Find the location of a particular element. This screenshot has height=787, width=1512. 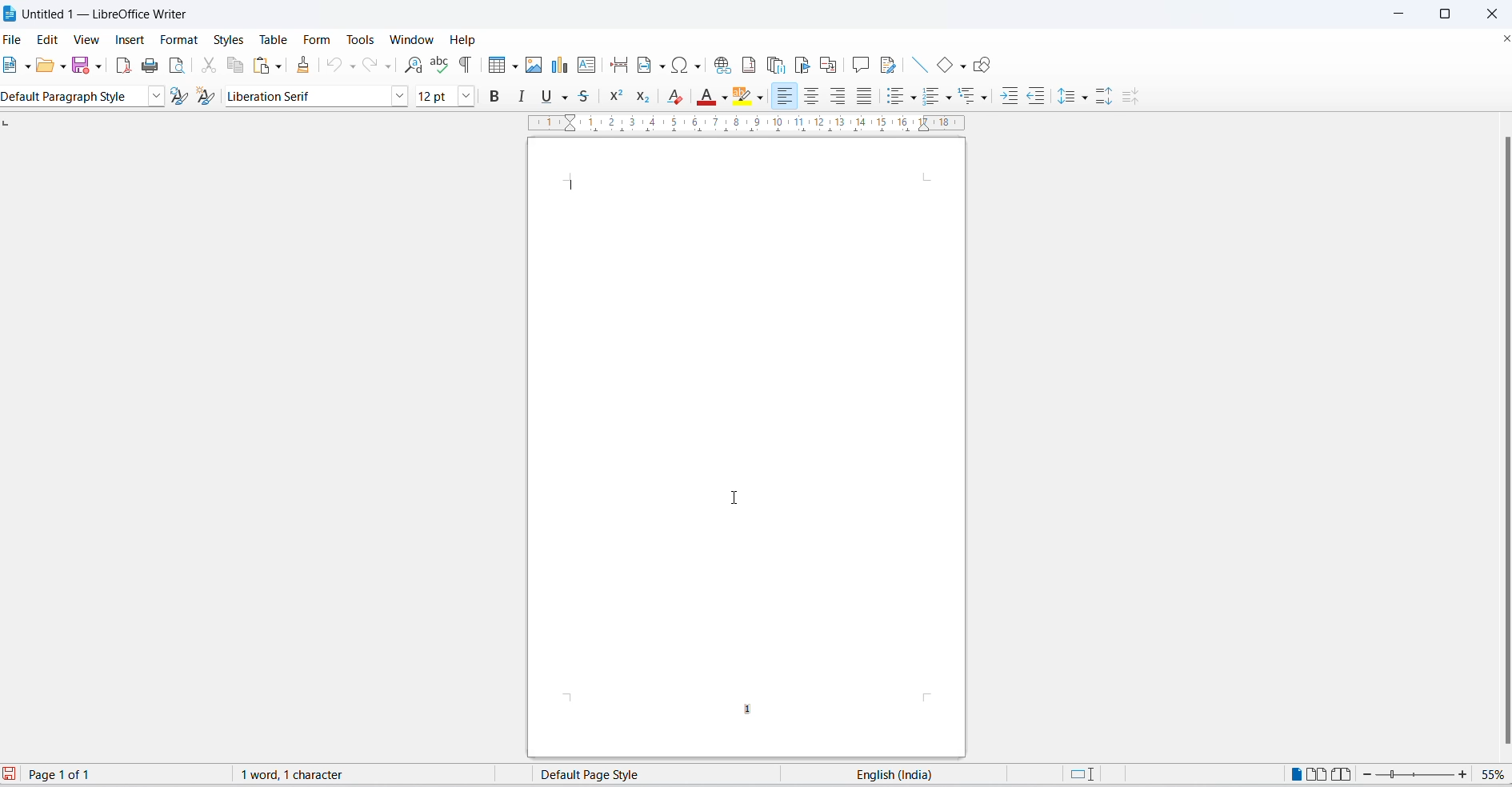

copy is located at coordinates (236, 66).